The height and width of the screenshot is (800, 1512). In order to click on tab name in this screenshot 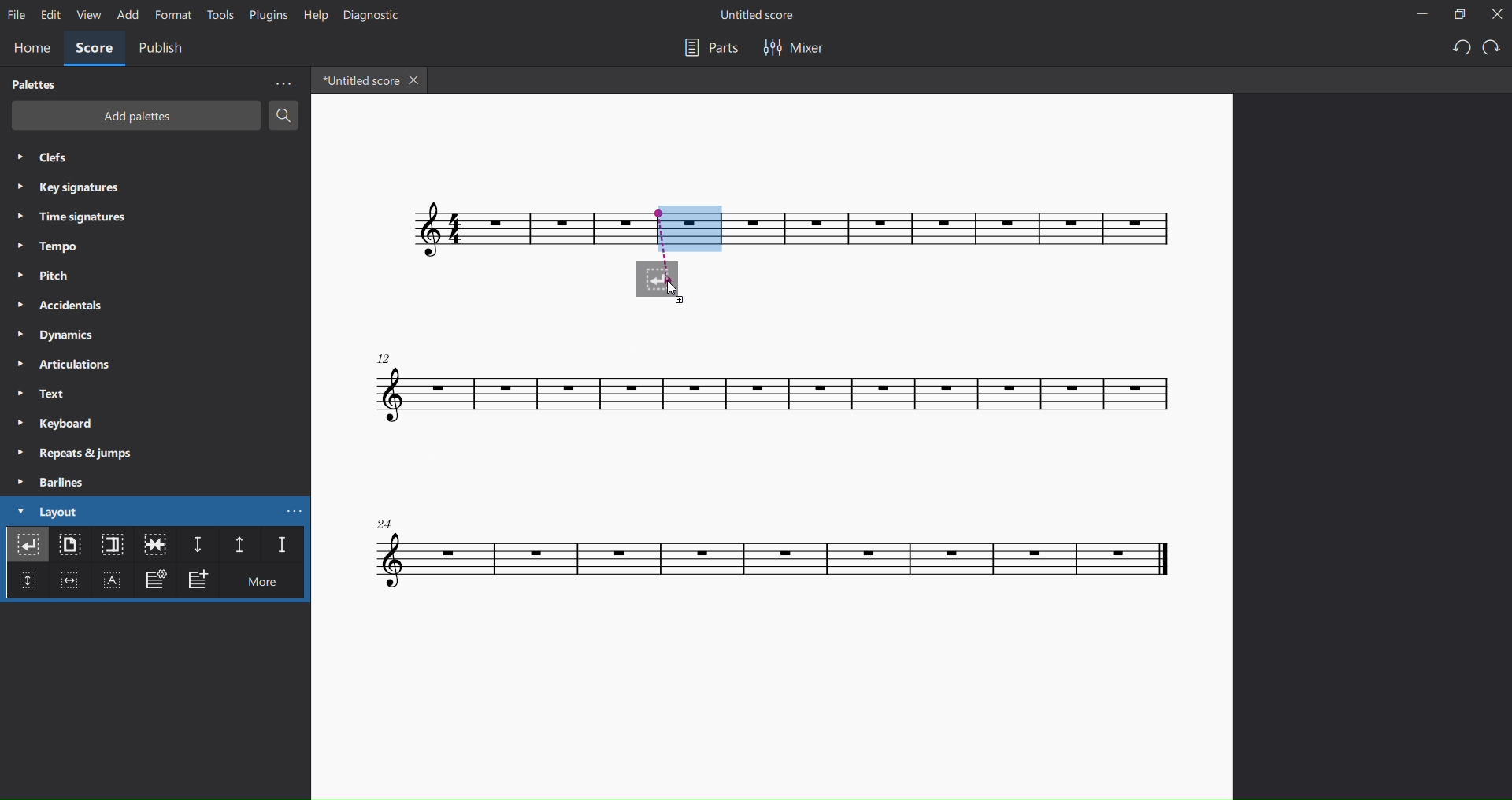, I will do `click(357, 80)`.